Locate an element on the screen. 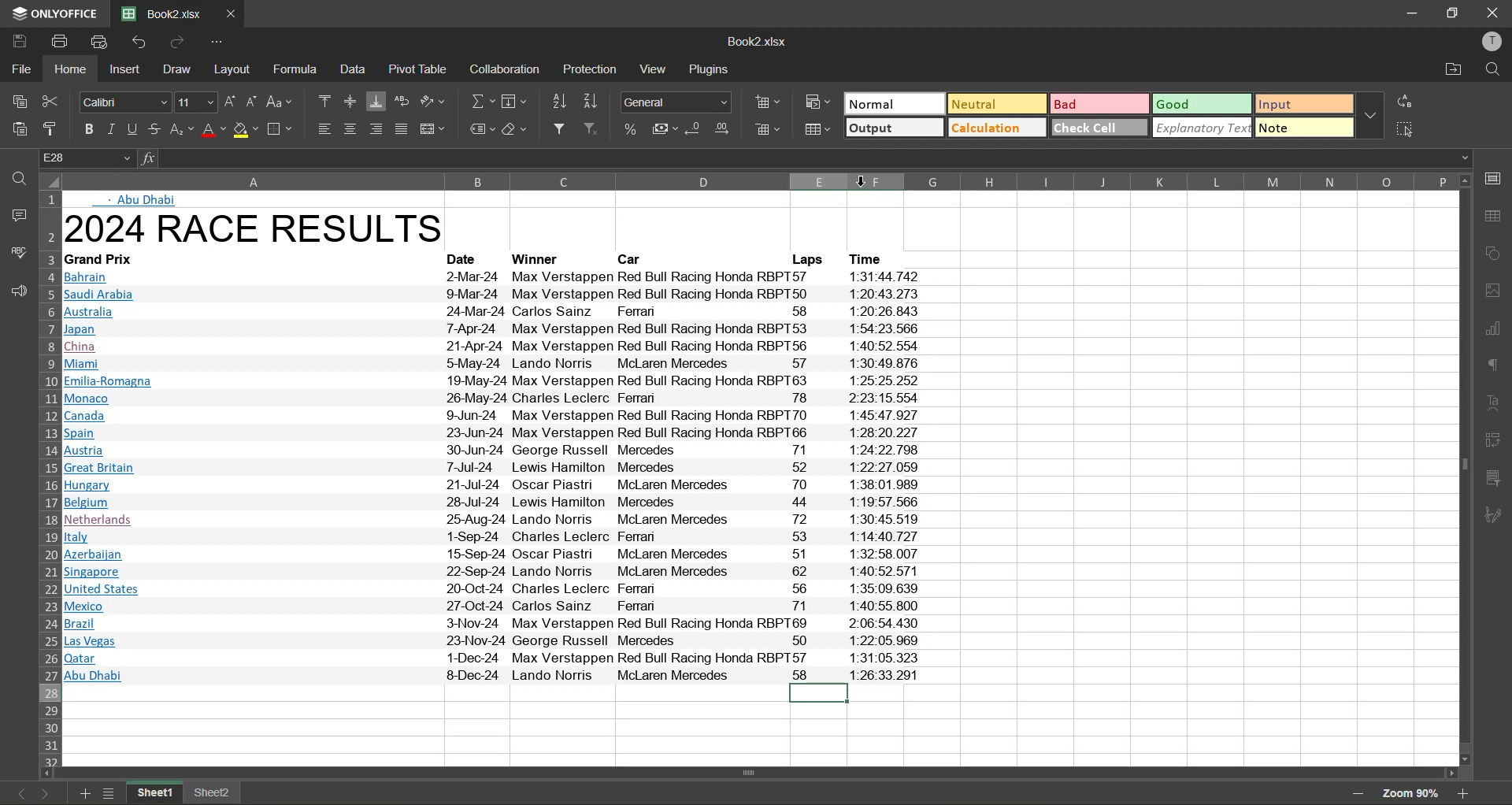 Image resolution: width=1512 pixels, height=805 pixels. Time is located at coordinates (870, 258).